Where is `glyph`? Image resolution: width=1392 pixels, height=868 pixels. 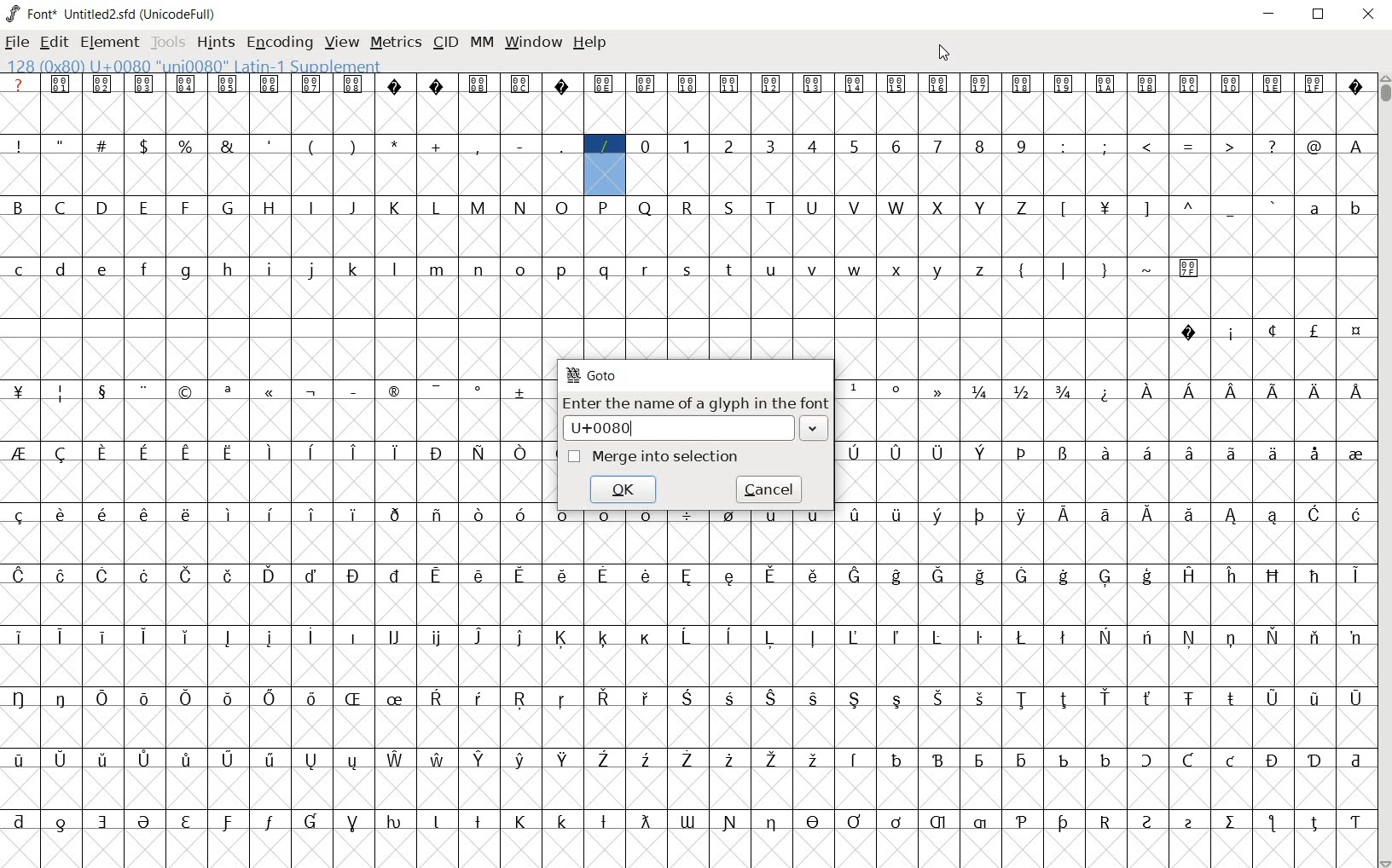
glyph is located at coordinates (143, 514).